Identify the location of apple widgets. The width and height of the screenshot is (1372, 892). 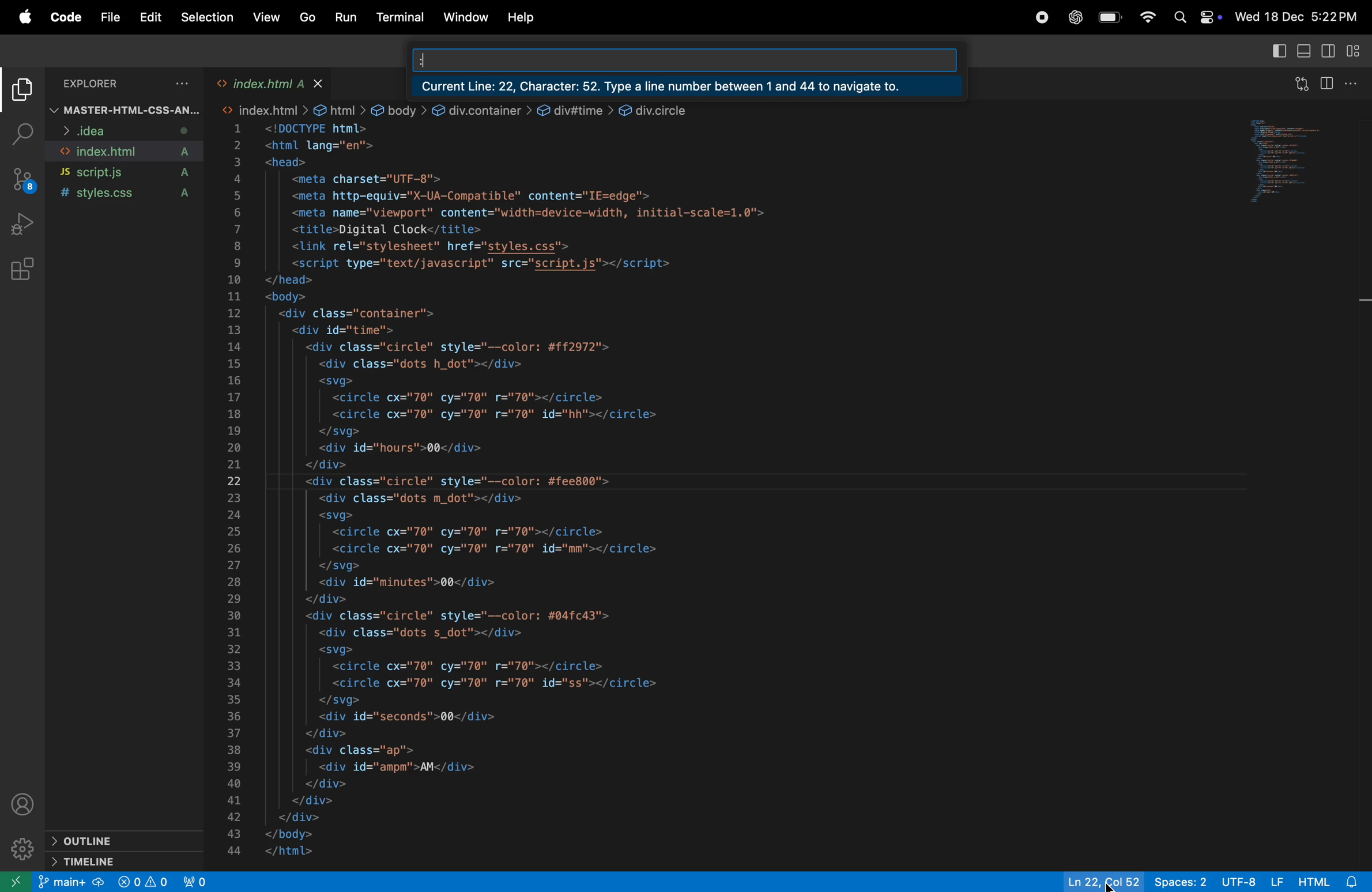
(1197, 17).